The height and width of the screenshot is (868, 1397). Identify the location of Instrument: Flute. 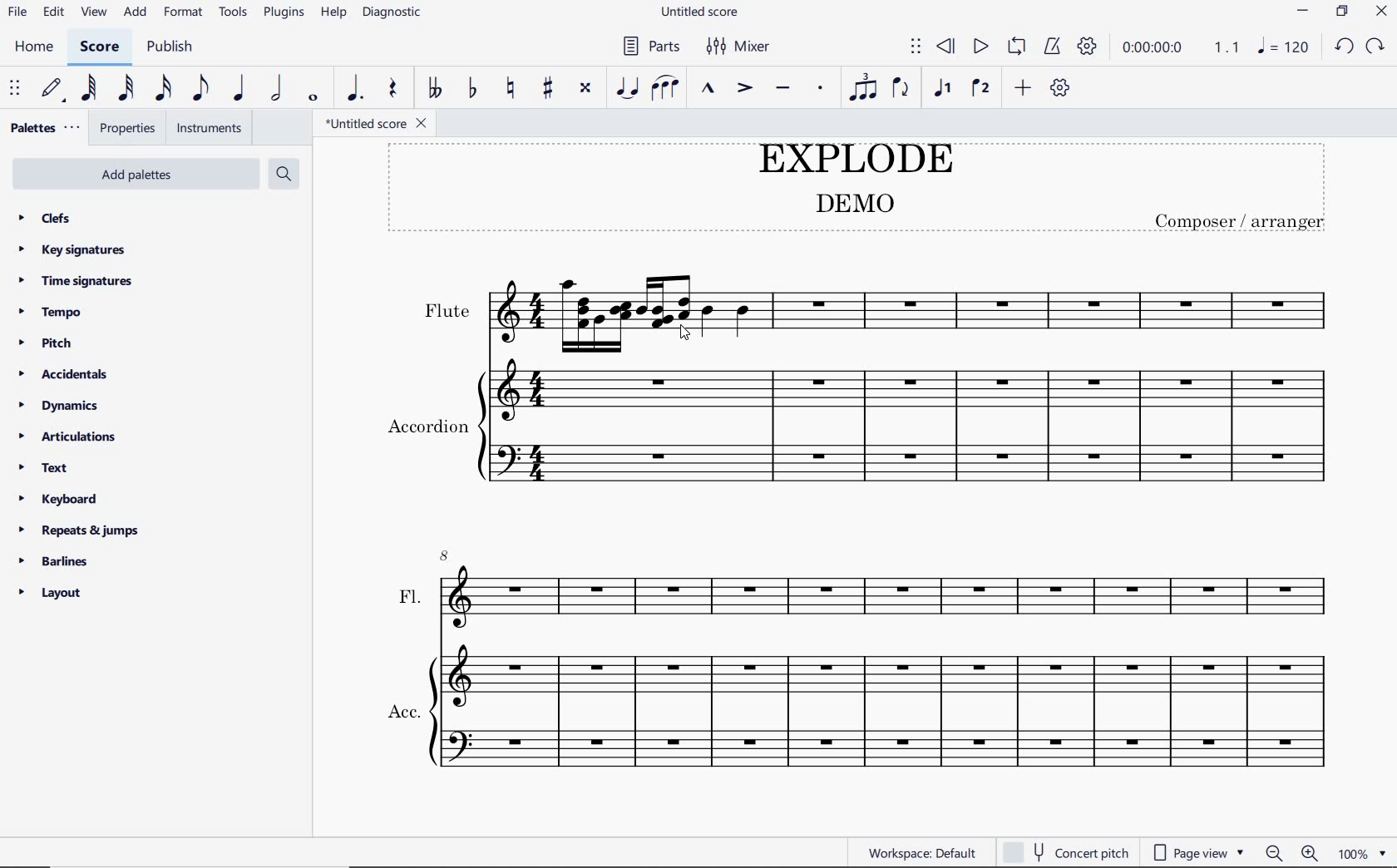
(876, 295).